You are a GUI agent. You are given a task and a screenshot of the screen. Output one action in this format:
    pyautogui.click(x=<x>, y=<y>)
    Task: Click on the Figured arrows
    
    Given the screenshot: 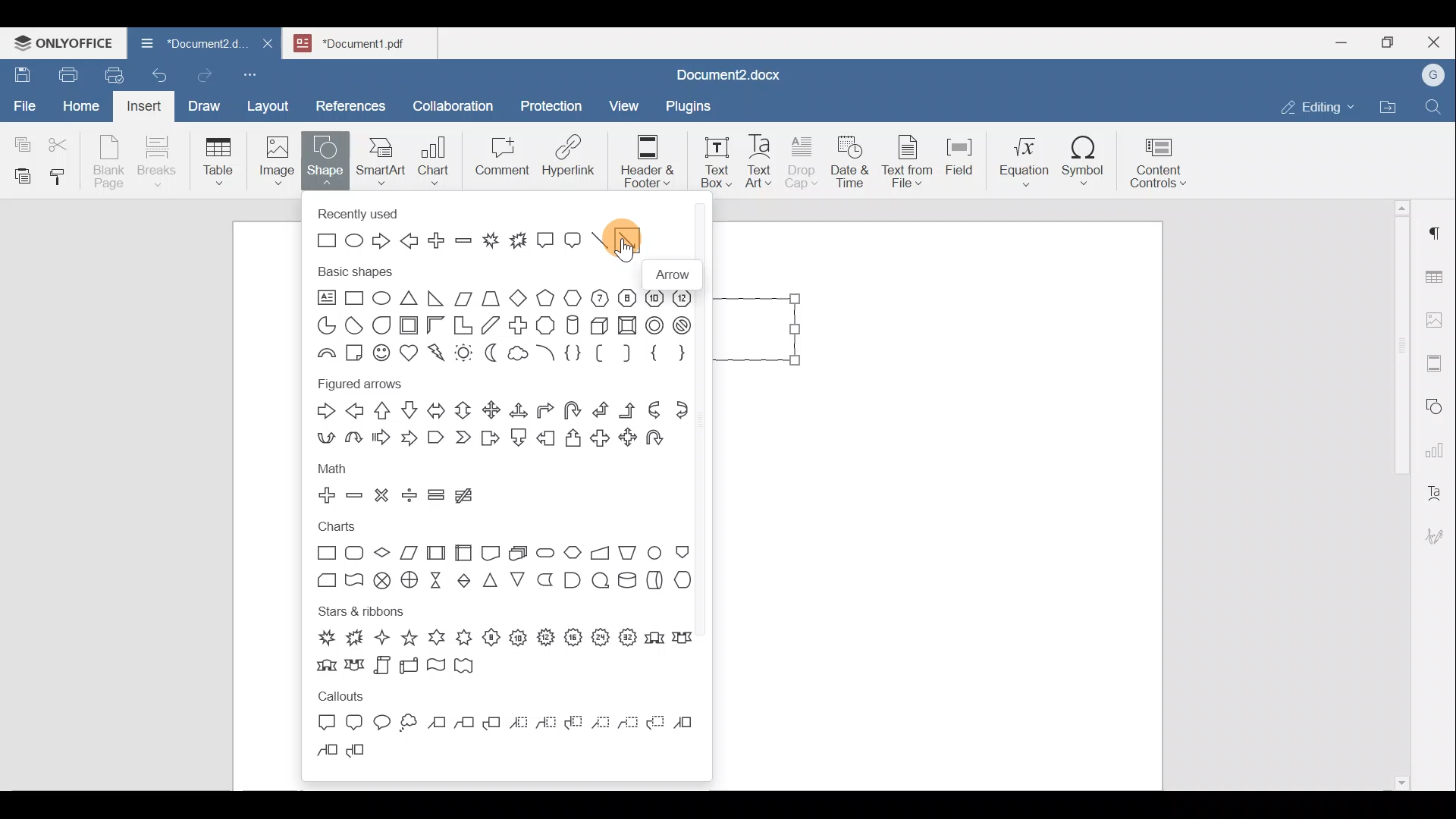 What is the action you would take?
    pyautogui.click(x=495, y=413)
    